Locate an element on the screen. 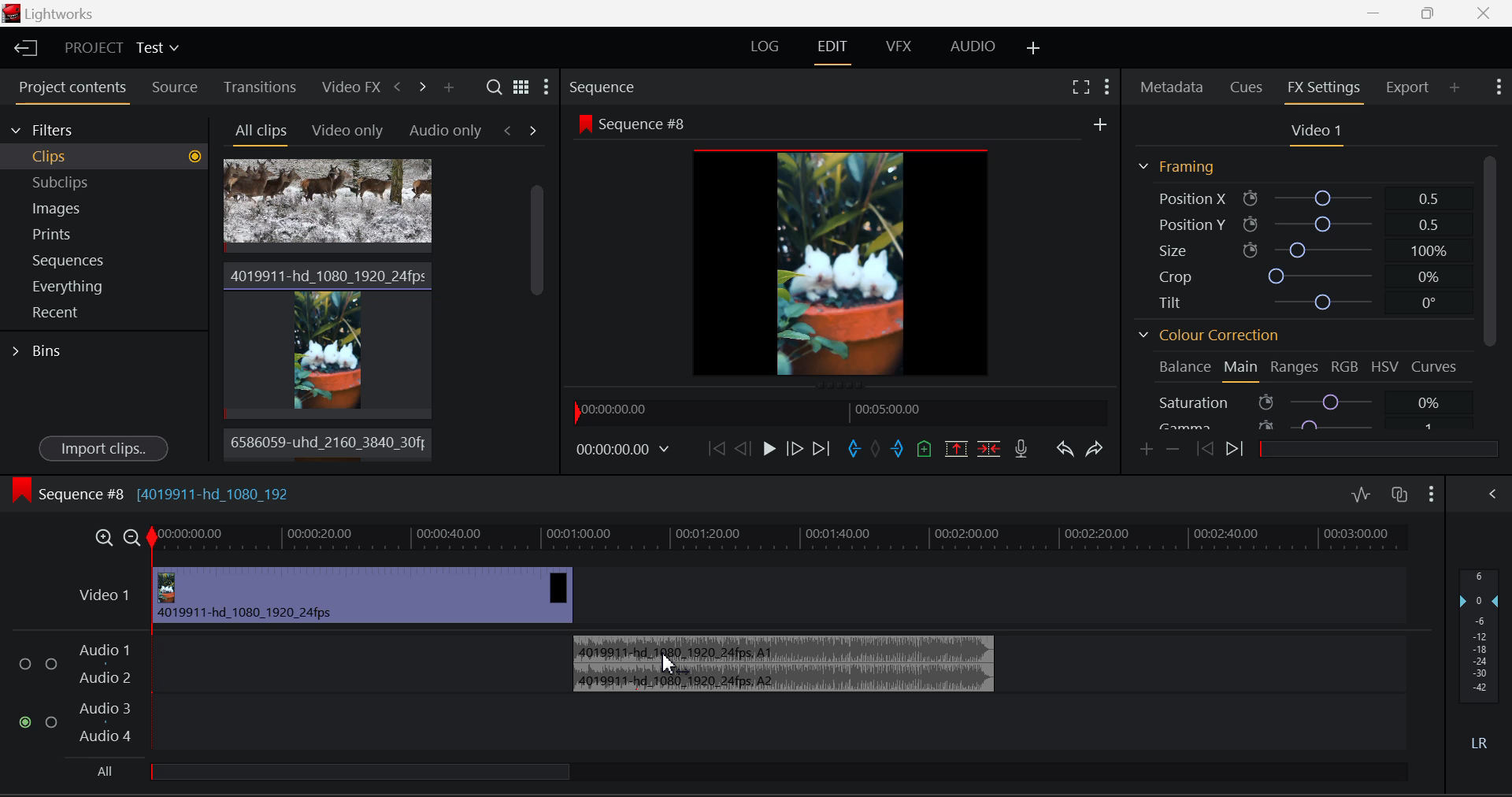  Next Panel is located at coordinates (424, 91).